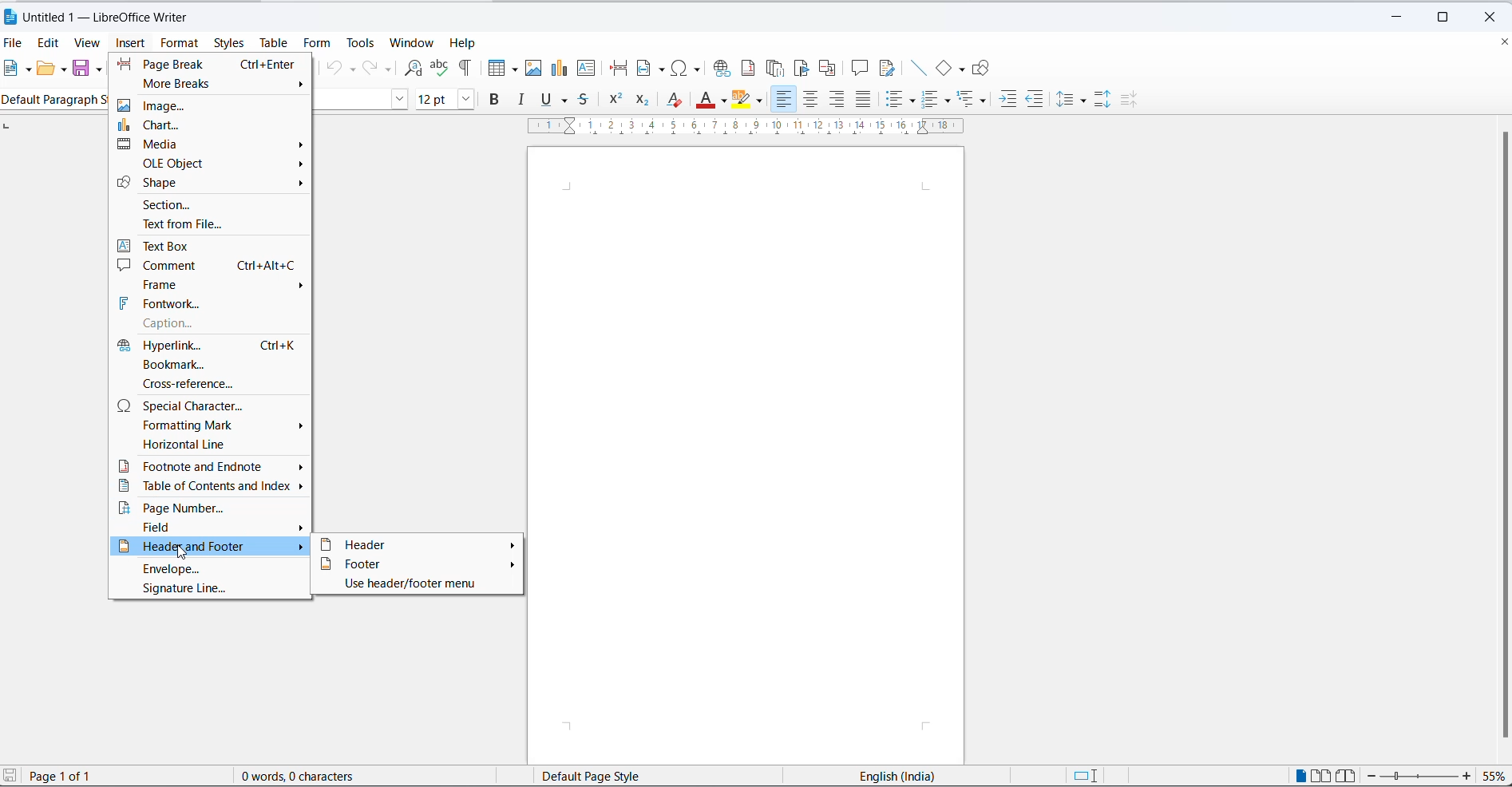  Describe the element at coordinates (465, 42) in the screenshot. I see `help` at that location.